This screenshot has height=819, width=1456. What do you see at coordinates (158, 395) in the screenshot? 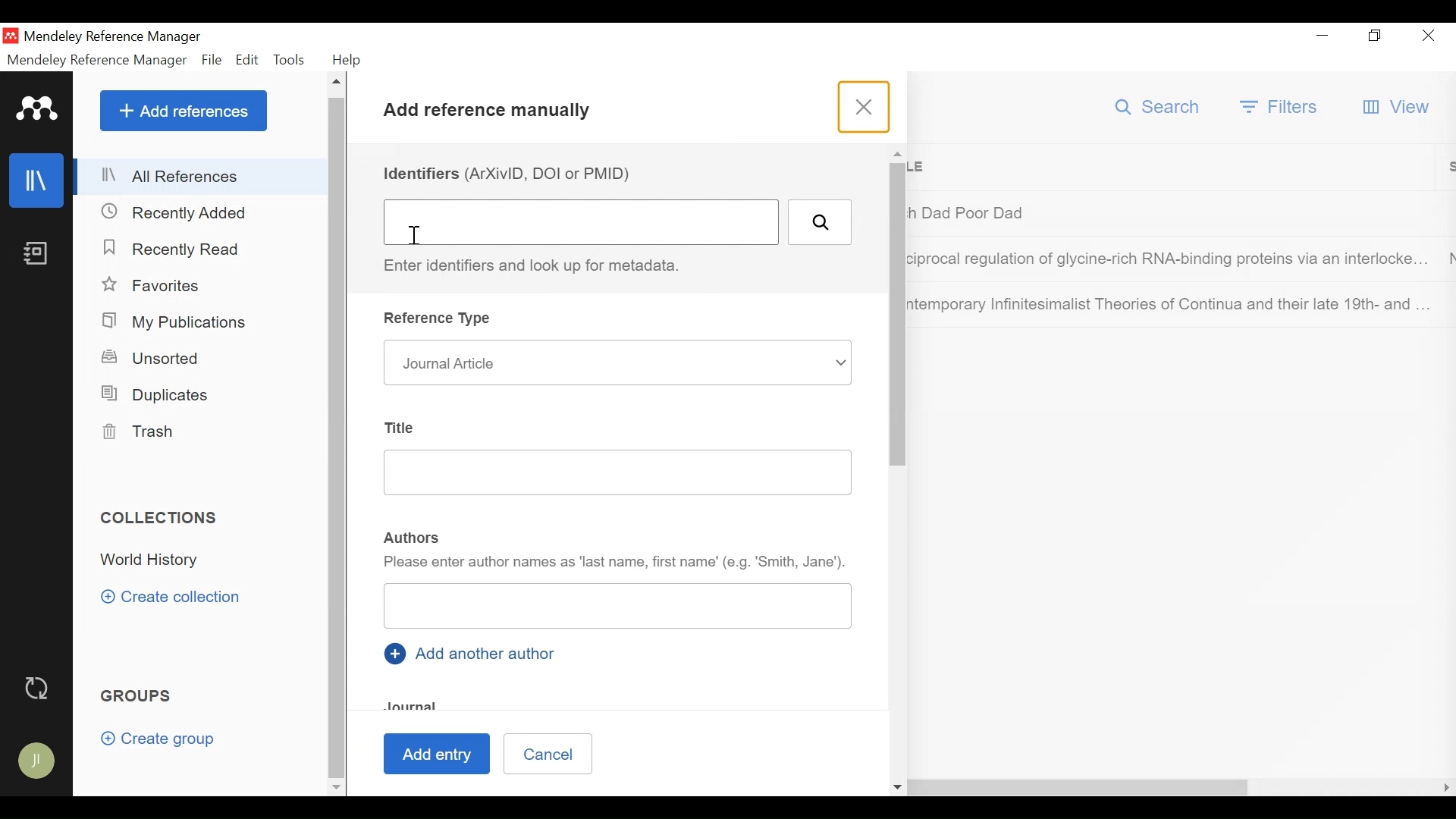
I see `Duplicates` at bounding box center [158, 395].